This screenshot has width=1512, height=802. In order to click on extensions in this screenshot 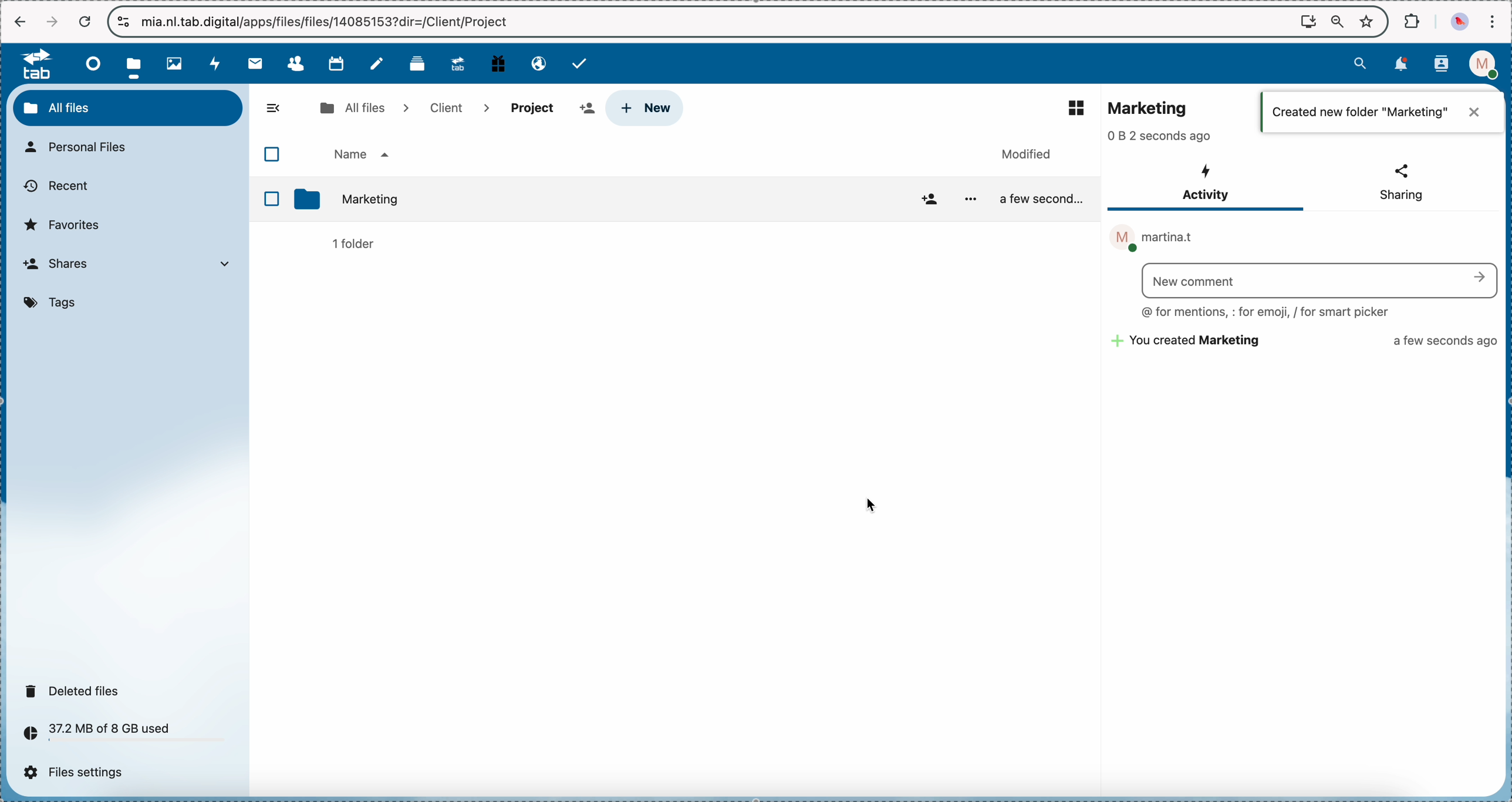, I will do `click(1413, 20)`.